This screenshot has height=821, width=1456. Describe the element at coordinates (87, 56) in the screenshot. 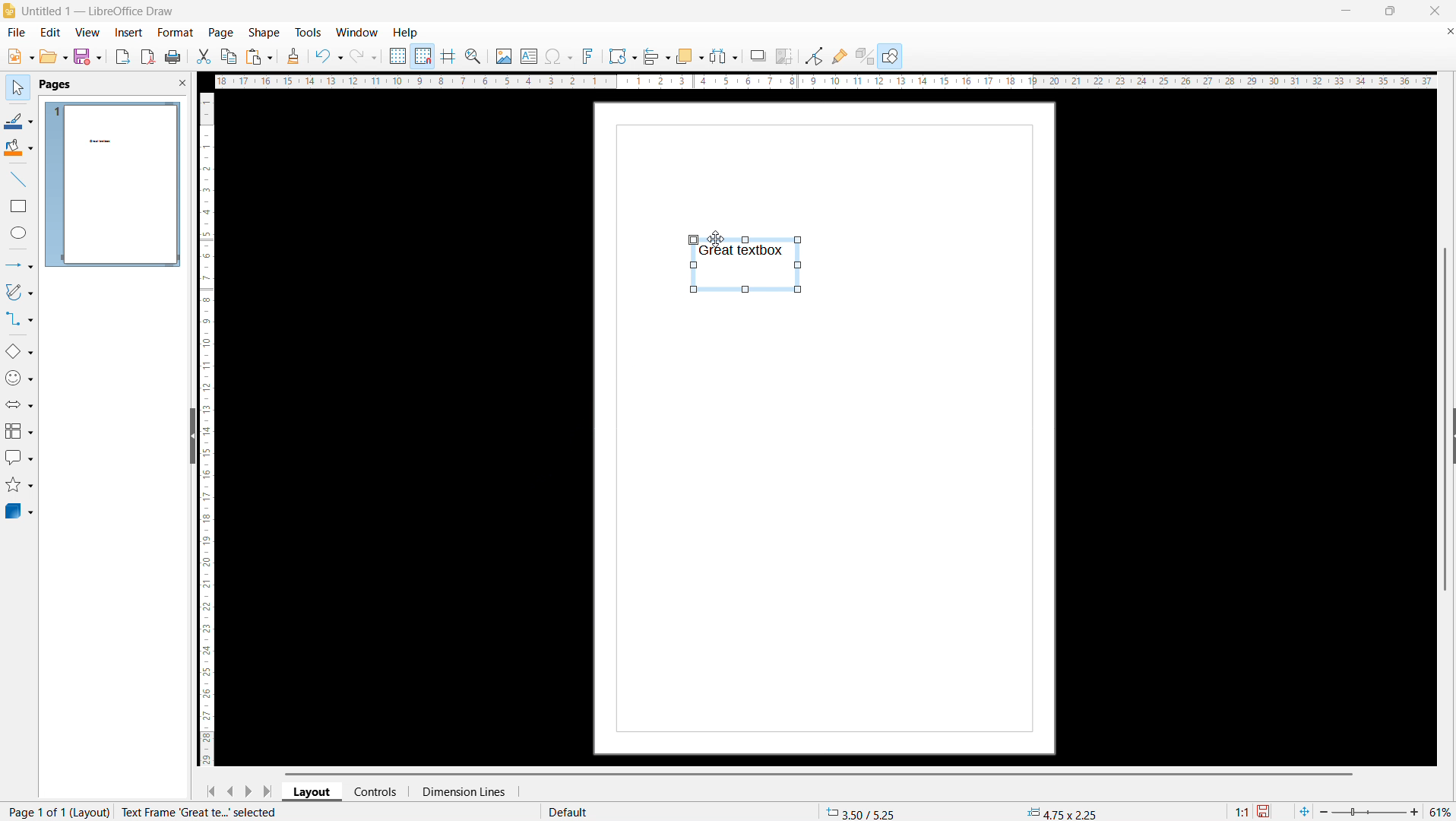

I see `save` at that location.